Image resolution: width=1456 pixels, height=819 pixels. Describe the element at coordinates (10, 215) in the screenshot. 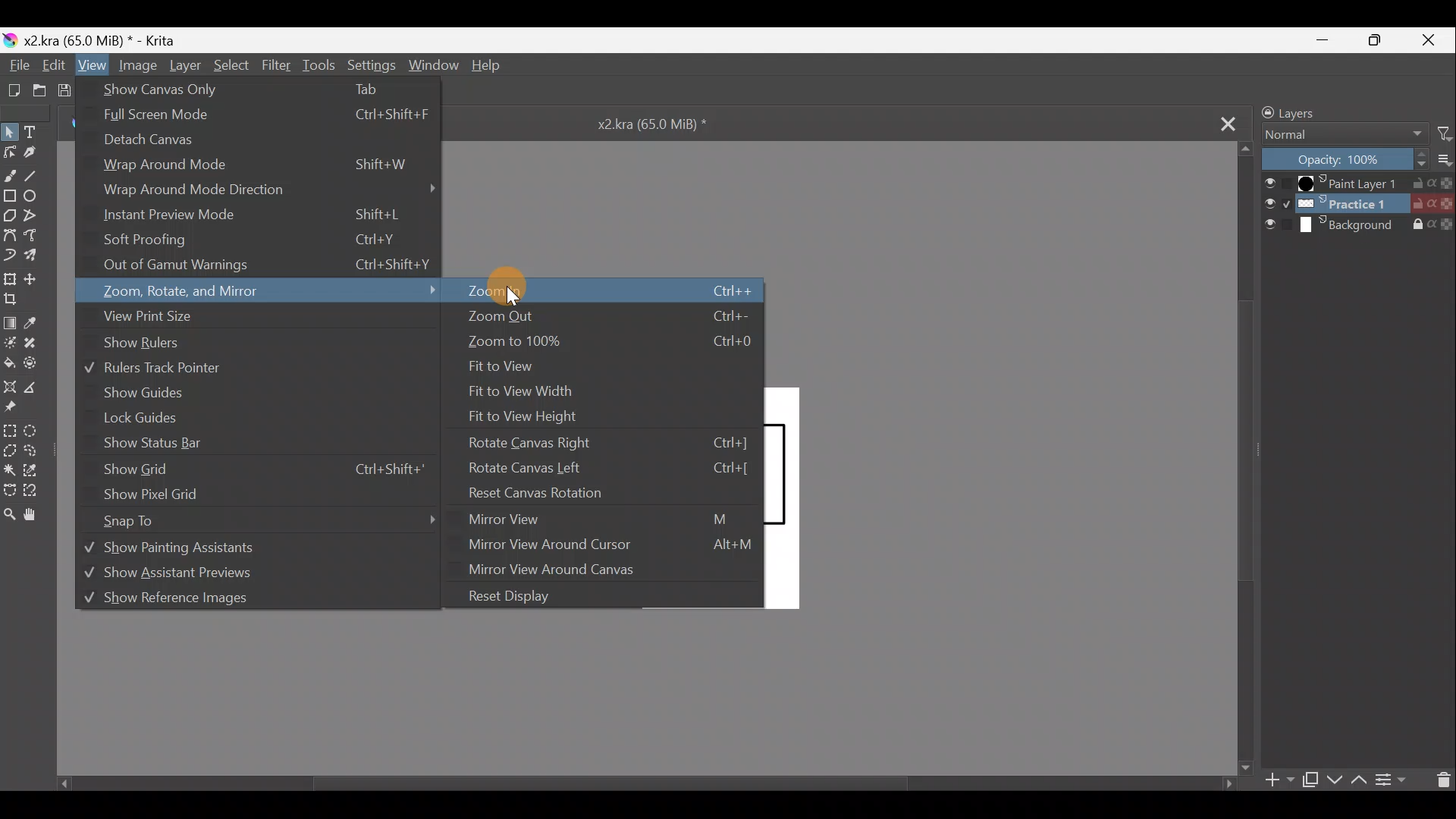

I see `Polygon tool` at that location.